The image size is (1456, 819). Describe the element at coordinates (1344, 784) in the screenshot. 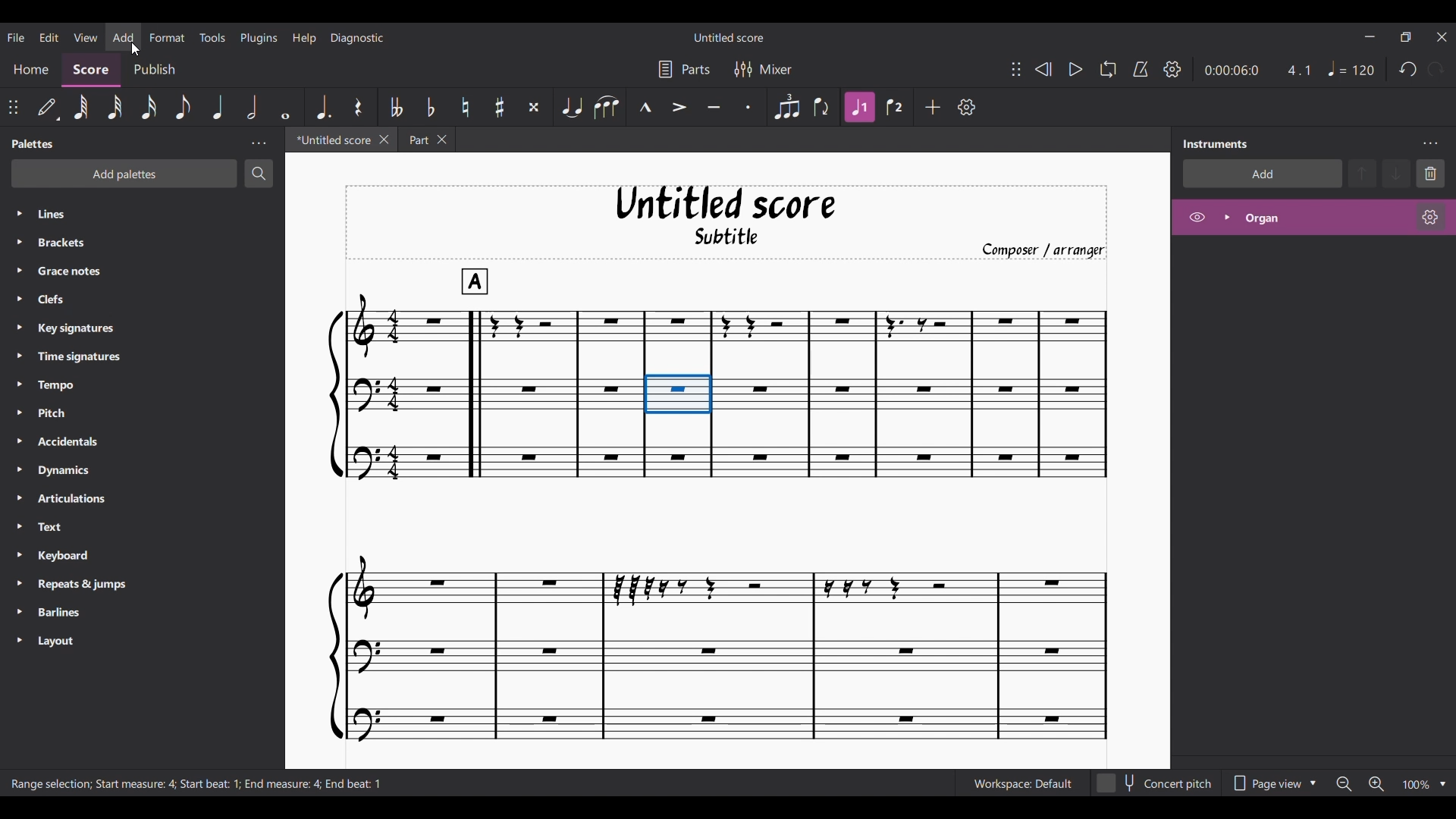

I see `Zoom out` at that location.